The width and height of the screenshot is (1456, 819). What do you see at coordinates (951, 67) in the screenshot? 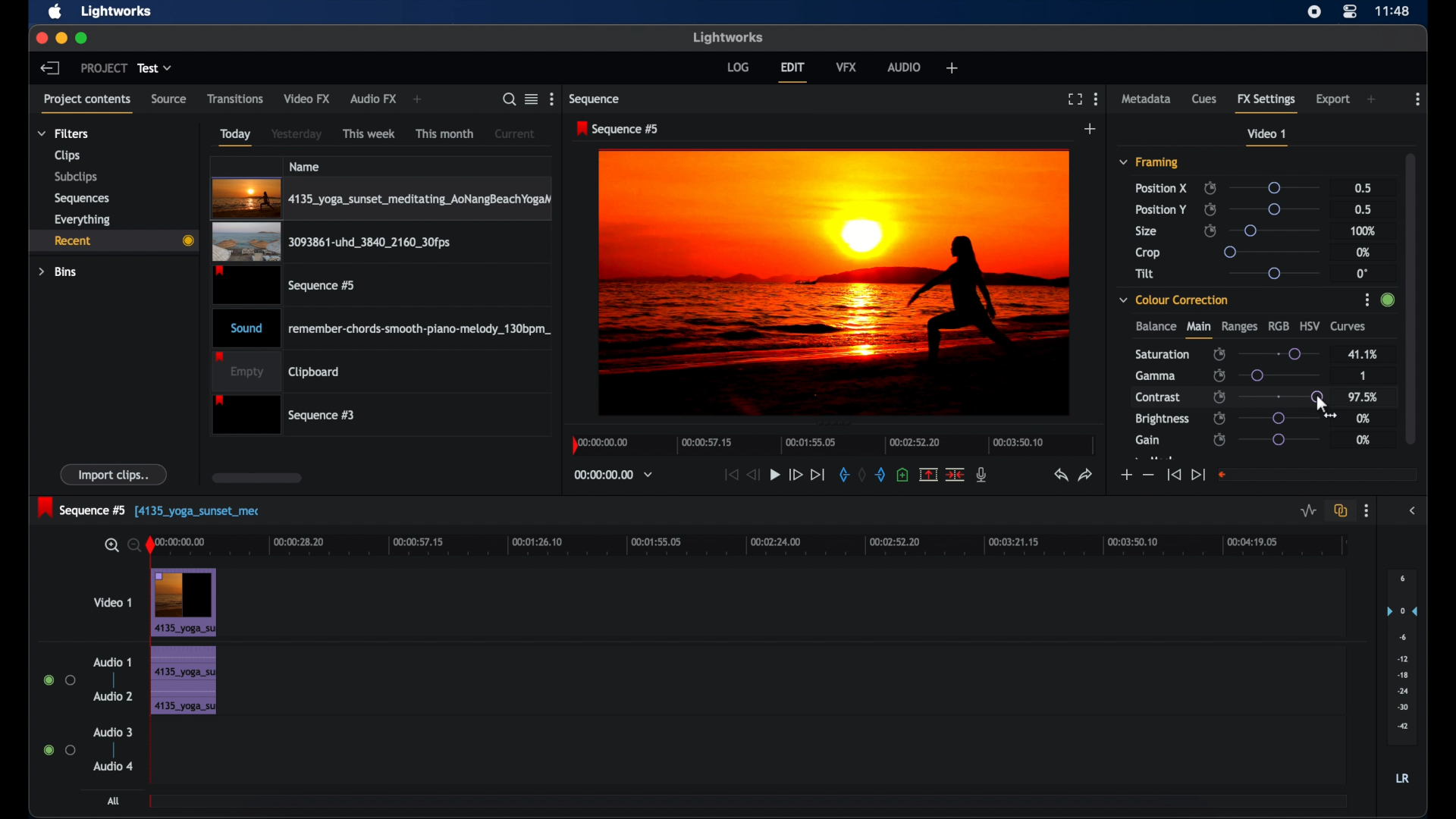
I see `add` at bounding box center [951, 67].